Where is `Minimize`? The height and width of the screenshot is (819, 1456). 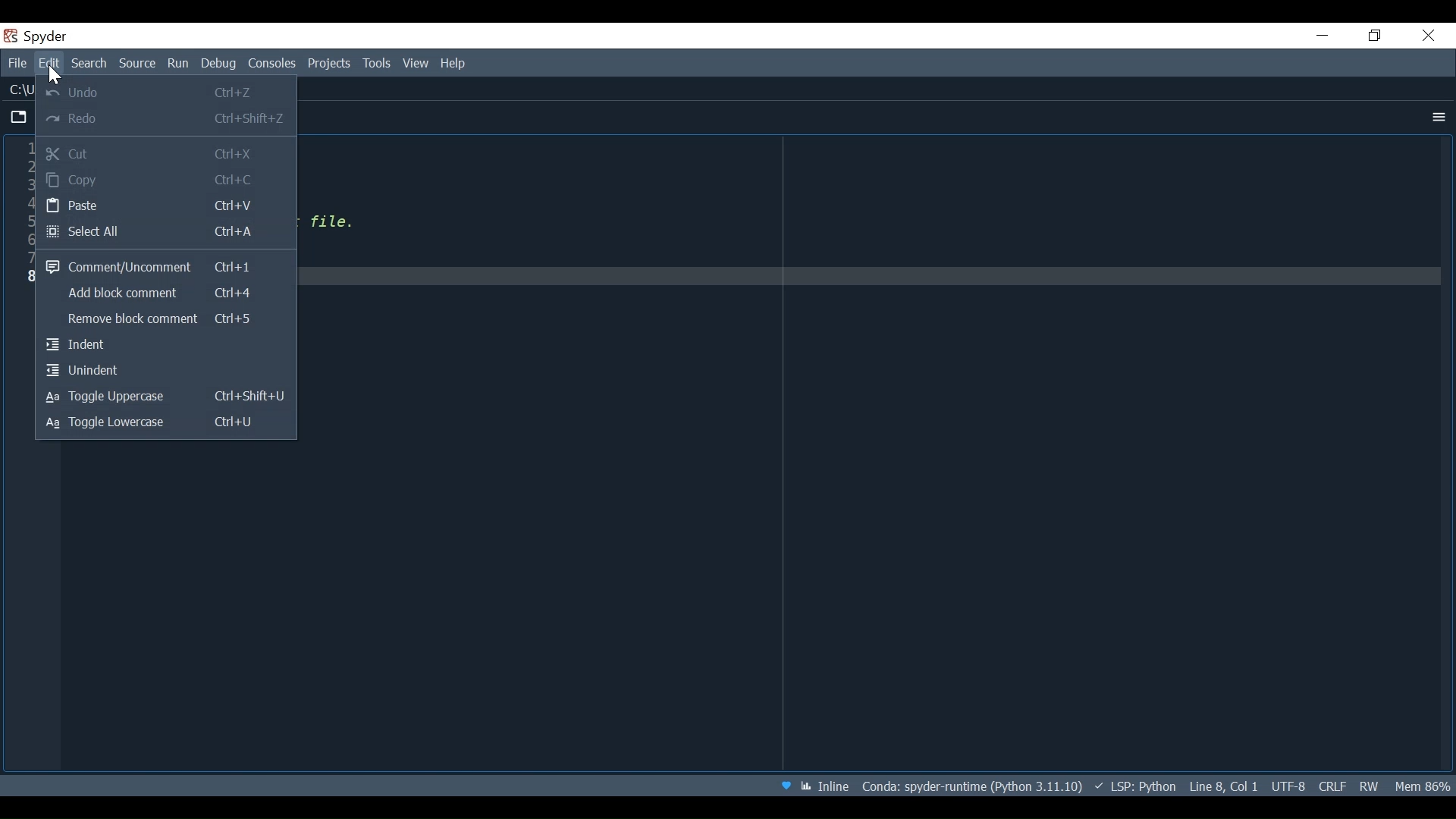
Minimize is located at coordinates (1323, 35).